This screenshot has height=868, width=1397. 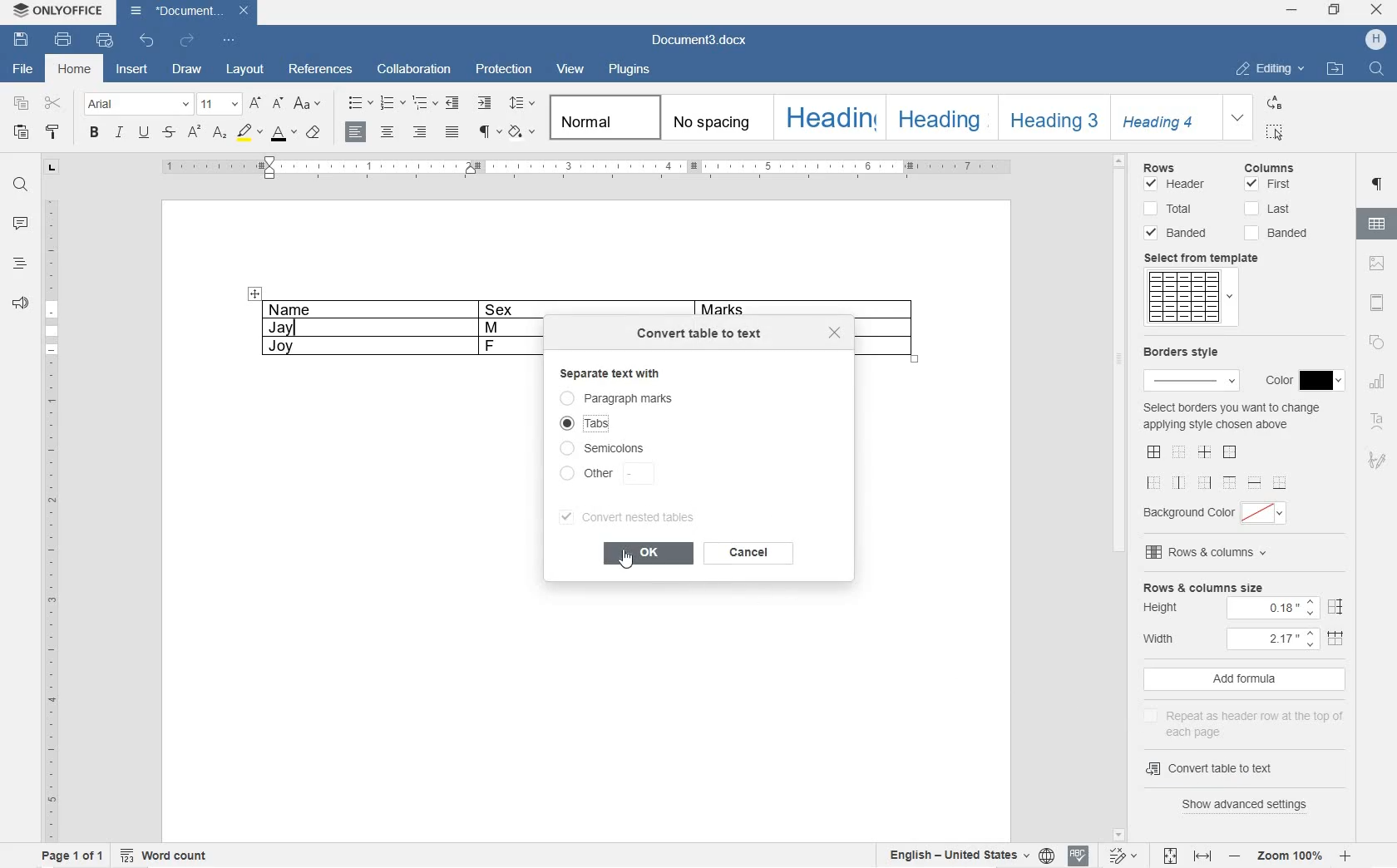 I want to click on set outer top border only, so click(x=1229, y=481).